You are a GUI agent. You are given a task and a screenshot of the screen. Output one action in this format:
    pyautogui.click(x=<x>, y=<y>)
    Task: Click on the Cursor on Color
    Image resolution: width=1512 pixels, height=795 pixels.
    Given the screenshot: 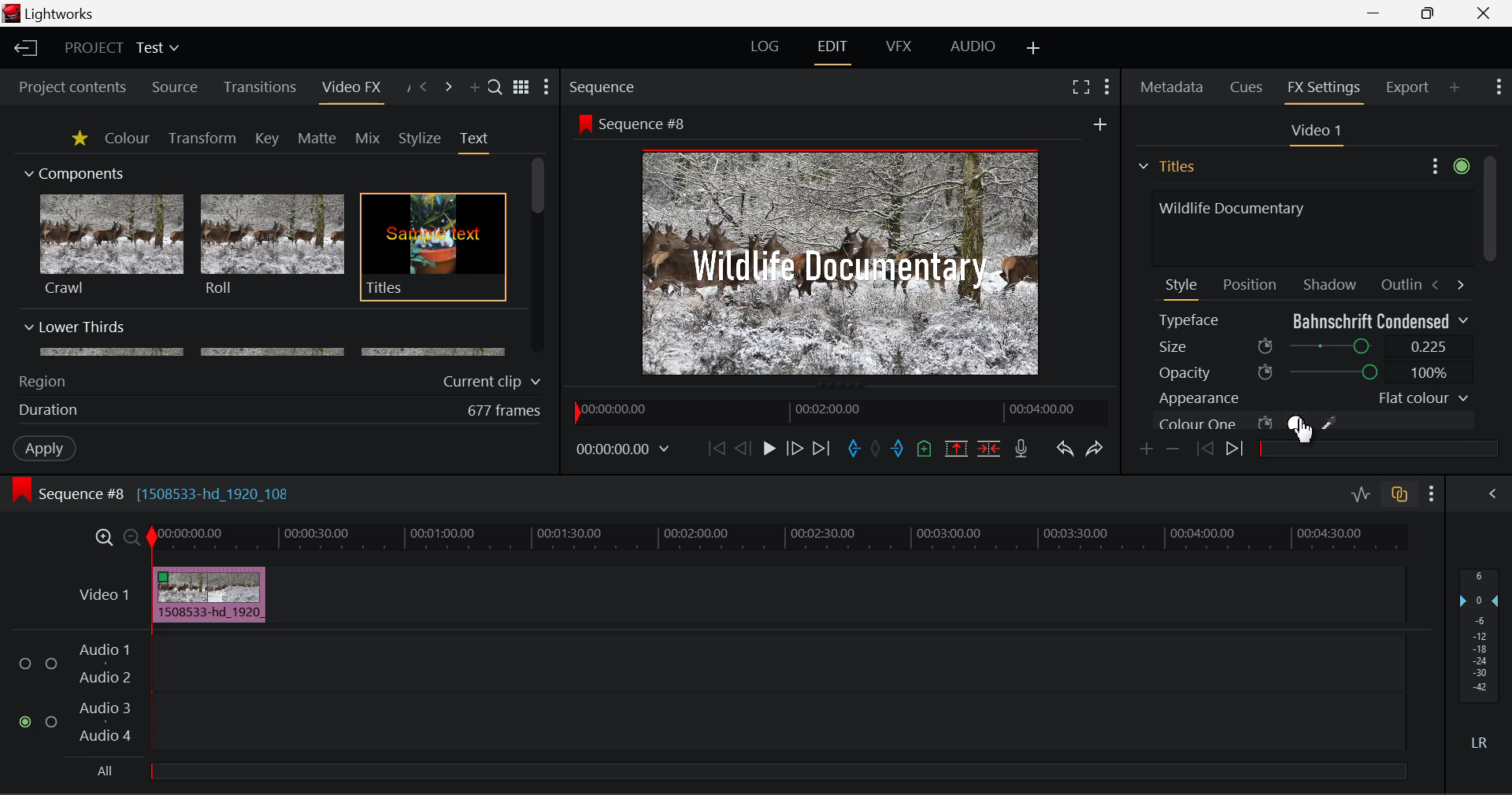 What is the action you would take?
    pyautogui.click(x=1301, y=425)
    